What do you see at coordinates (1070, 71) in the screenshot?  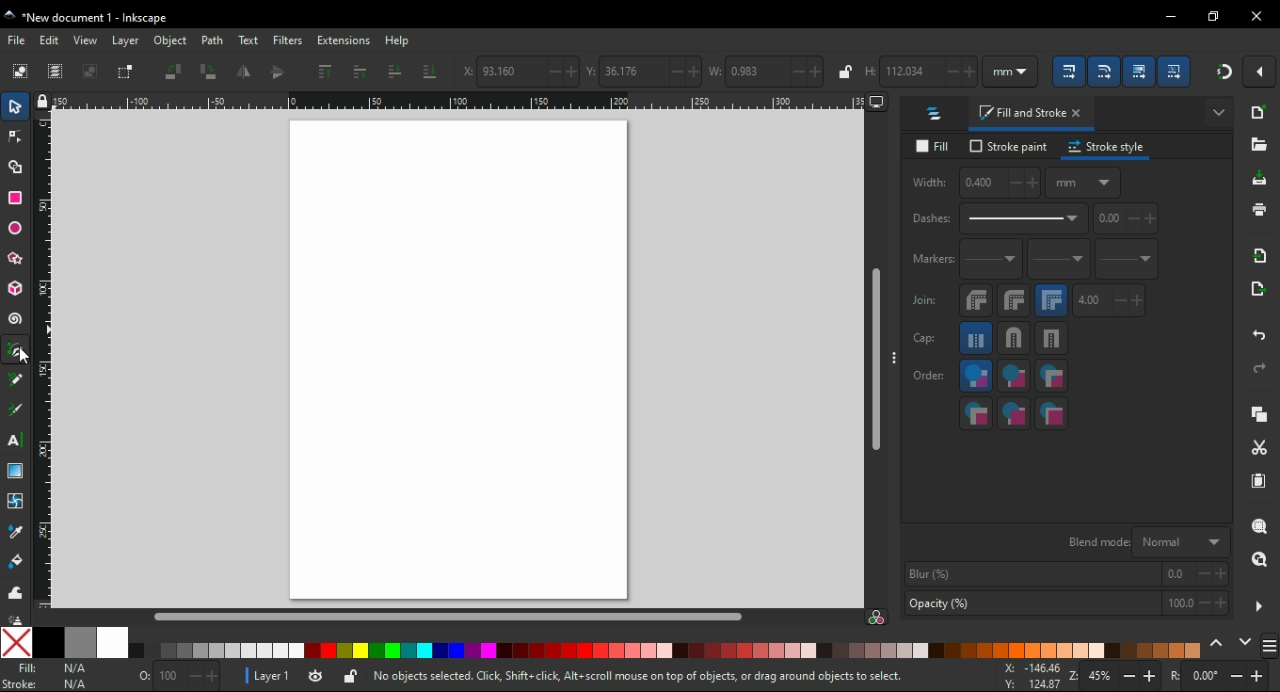 I see `when scaling objects, scale the stroke width with same proportion` at bounding box center [1070, 71].